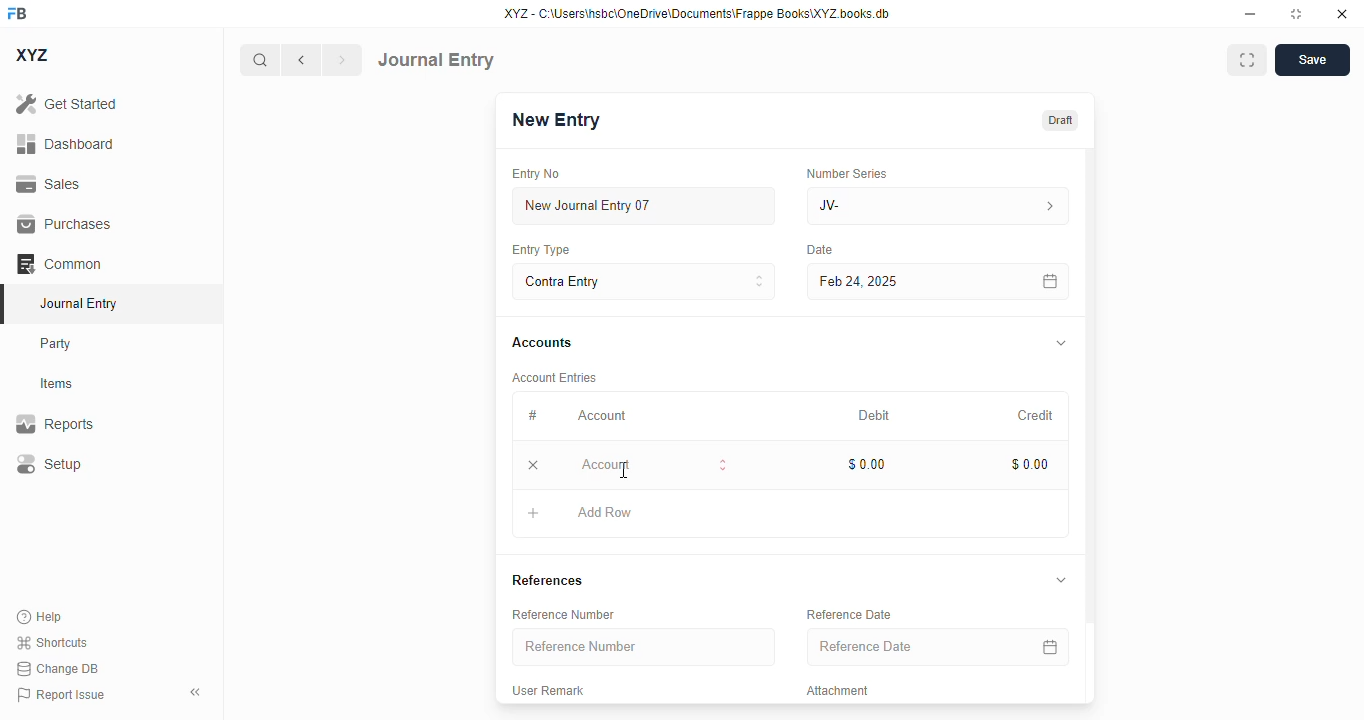 The height and width of the screenshot is (720, 1364). I want to click on reference date, so click(850, 614).